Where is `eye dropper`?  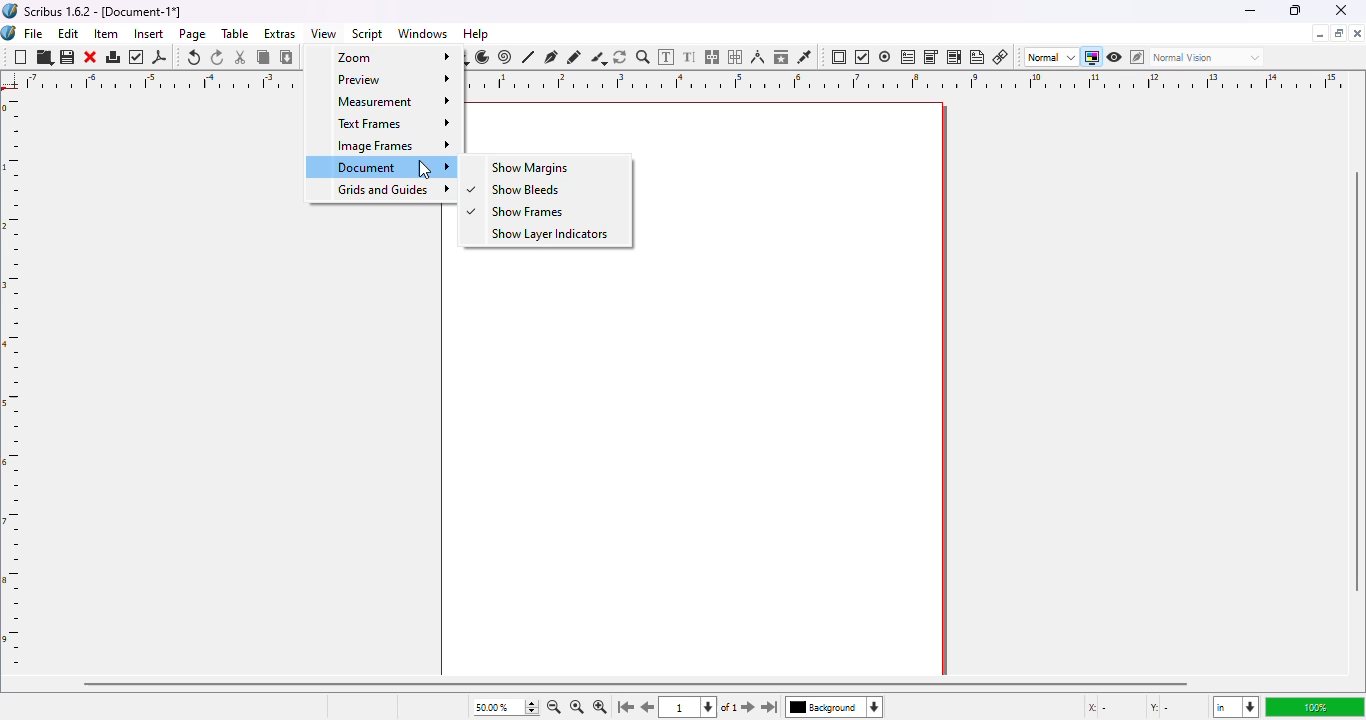
eye dropper is located at coordinates (804, 57).